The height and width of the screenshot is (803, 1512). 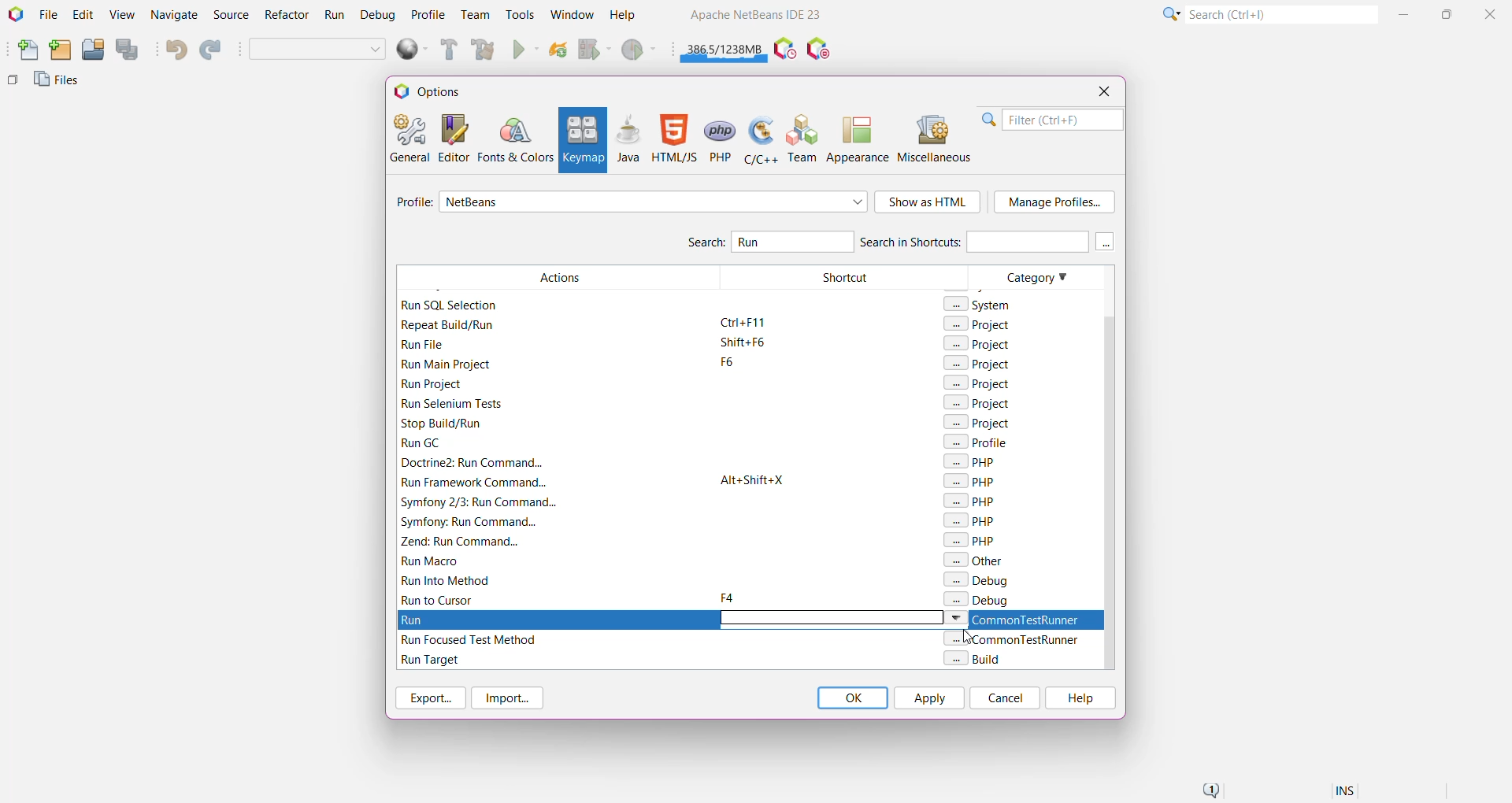 I want to click on Close, so click(x=1492, y=13).